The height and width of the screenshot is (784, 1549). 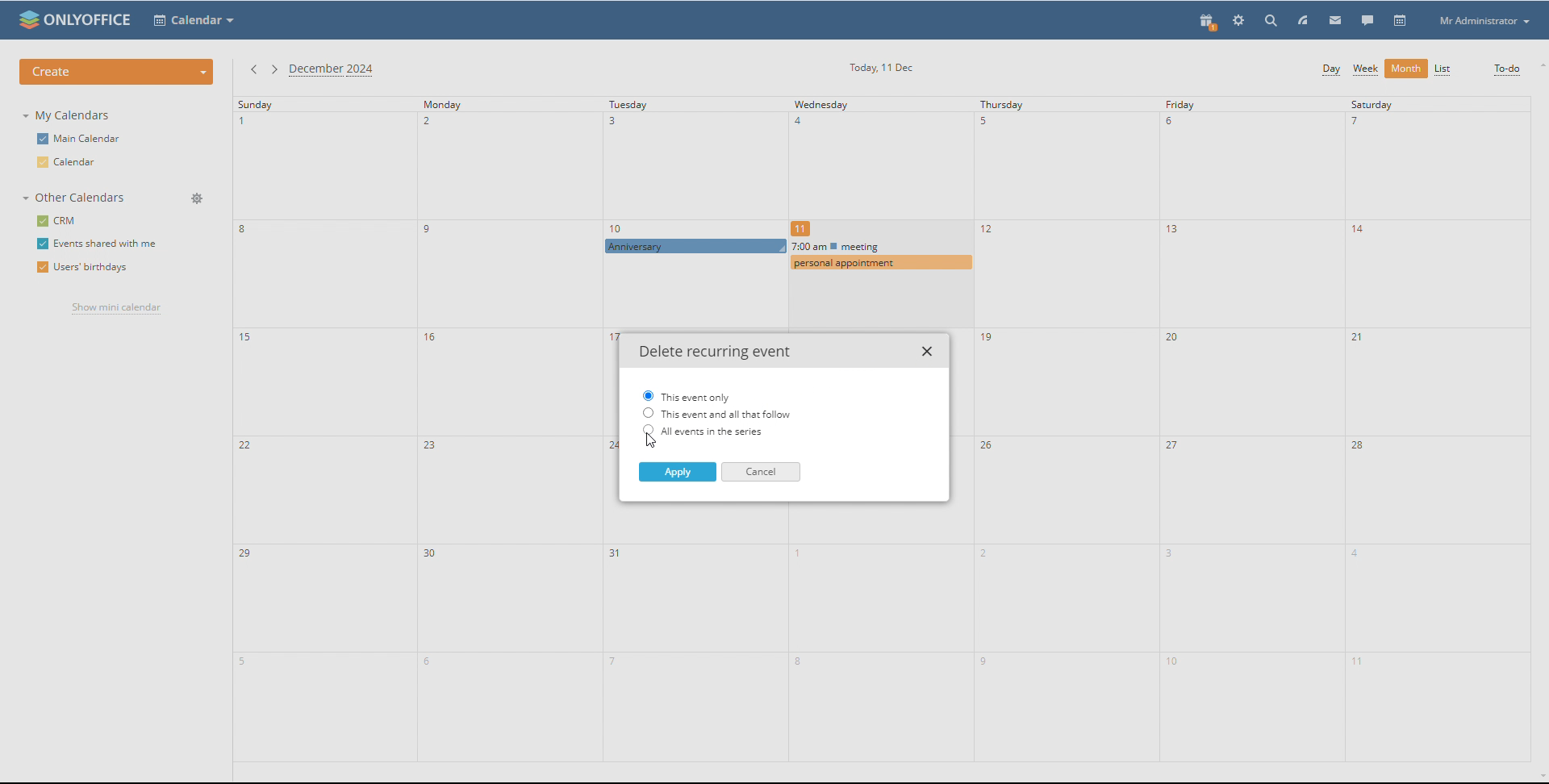 I want to click on thursday, so click(x=1066, y=430).